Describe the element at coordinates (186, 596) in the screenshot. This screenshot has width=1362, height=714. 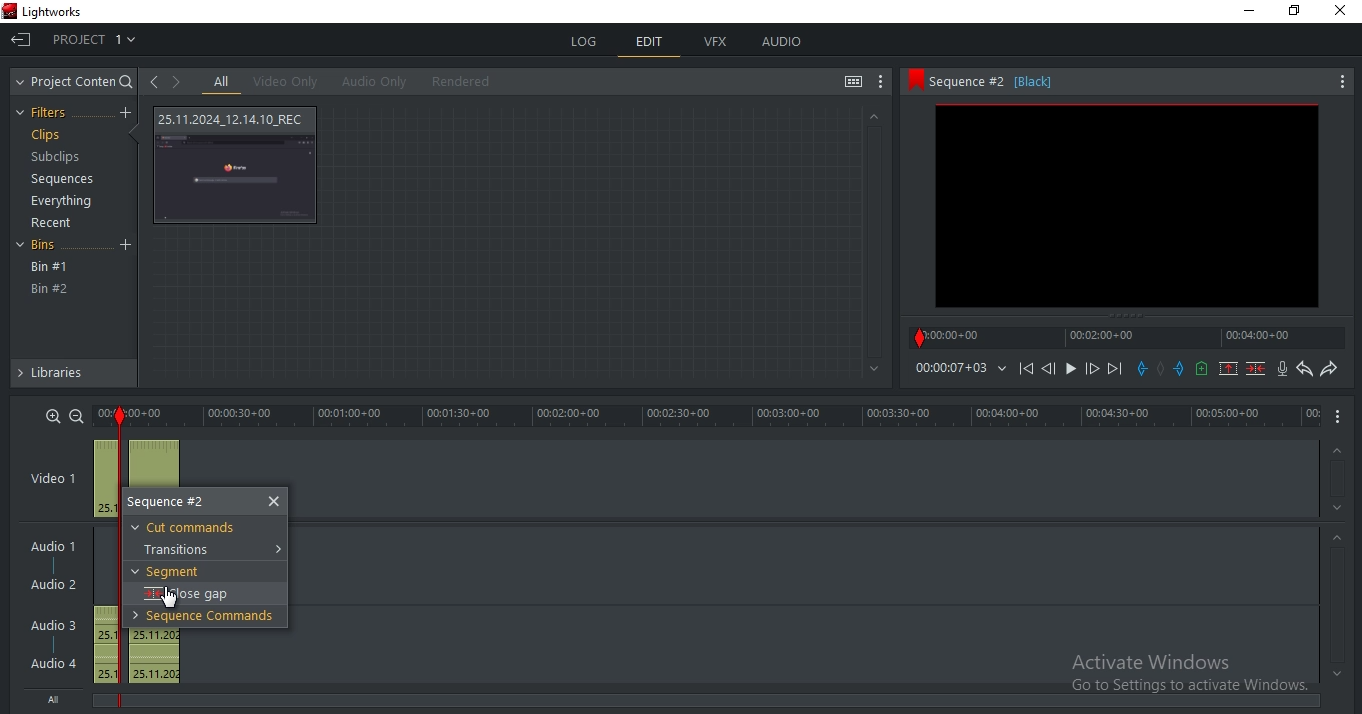
I see `close gap` at that location.